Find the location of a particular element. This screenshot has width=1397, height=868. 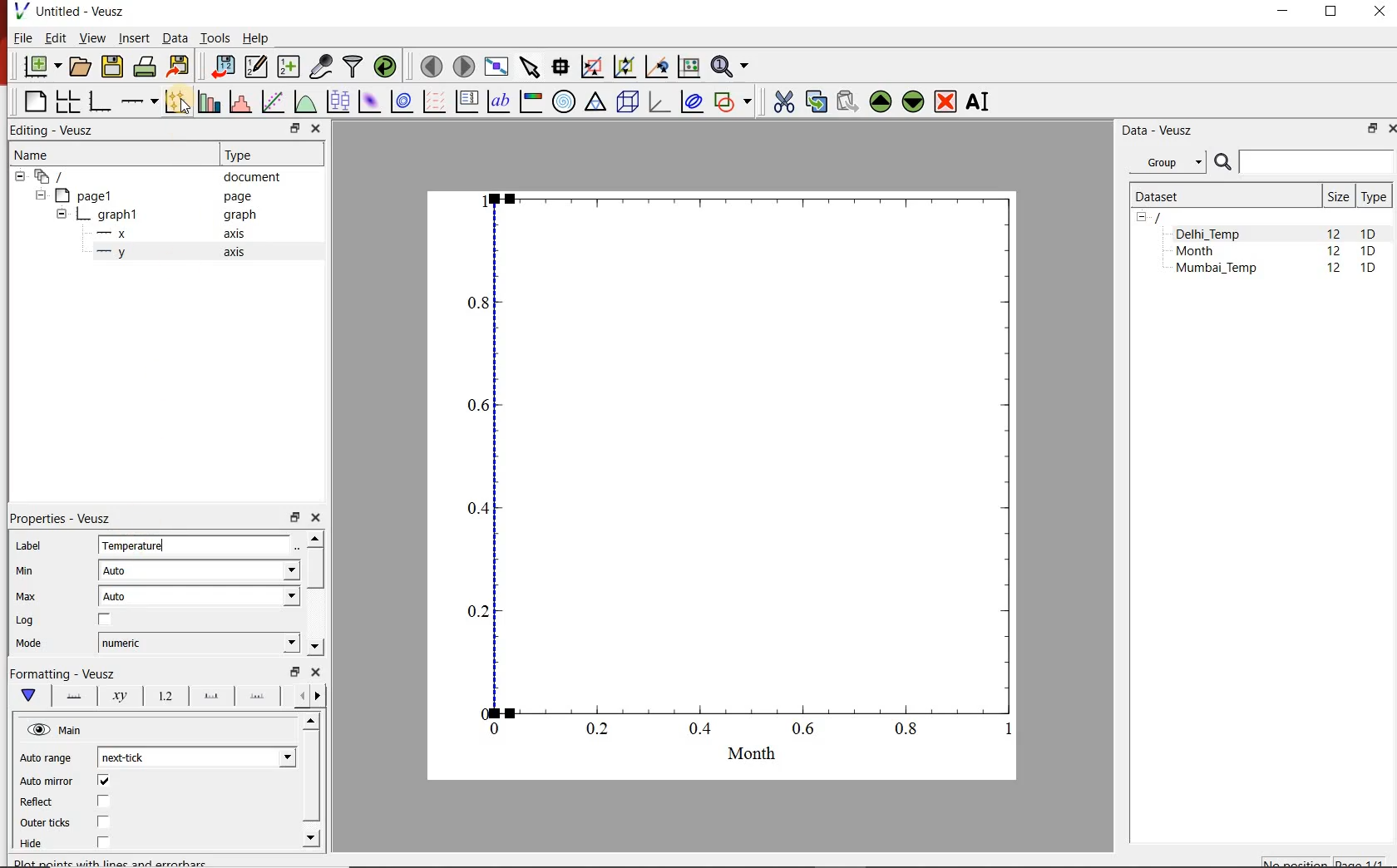

move to the previous page is located at coordinates (431, 66).